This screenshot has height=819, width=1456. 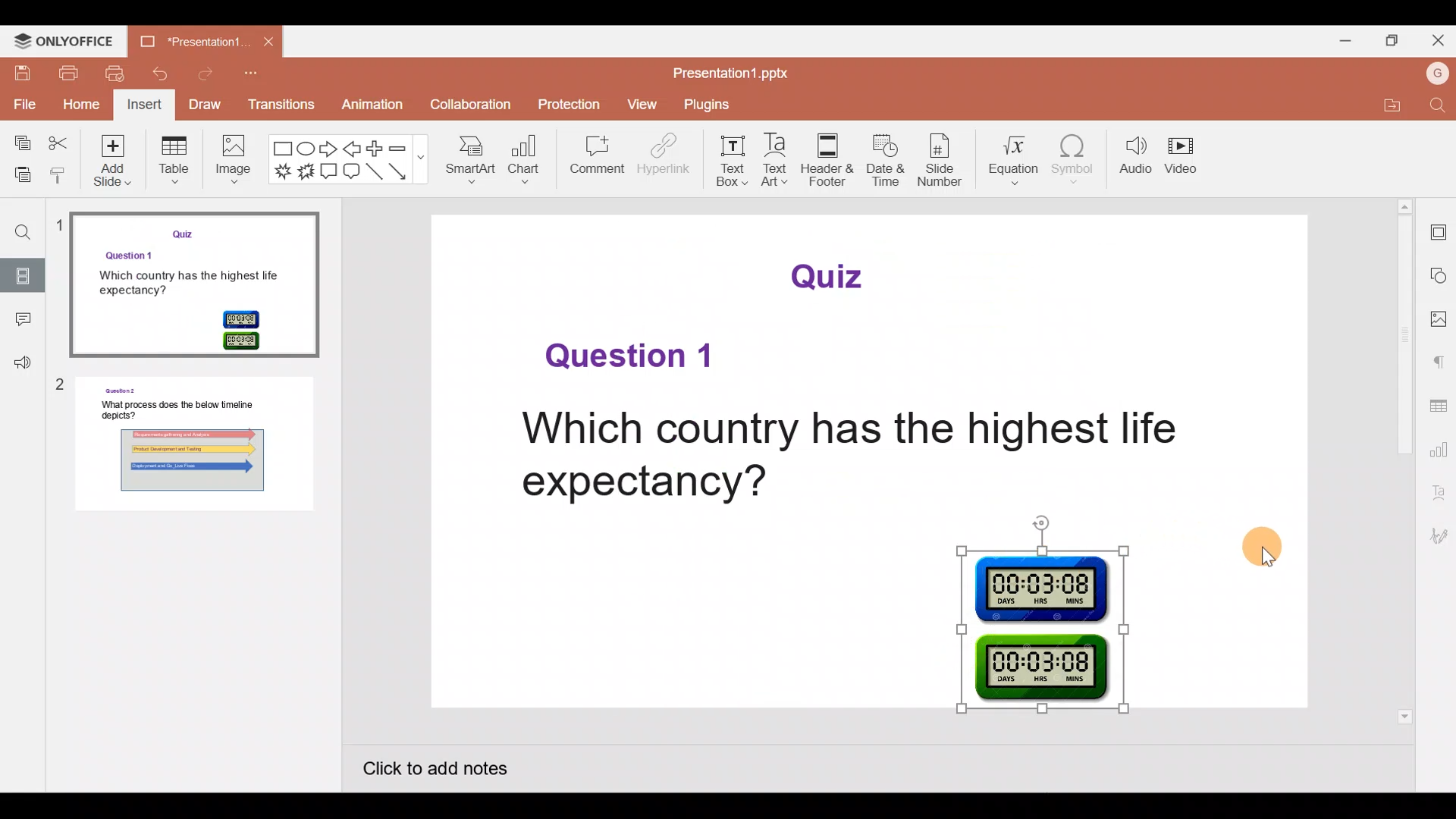 What do you see at coordinates (406, 146) in the screenshot?
I see `Minus` at bounding box center [406, 146].